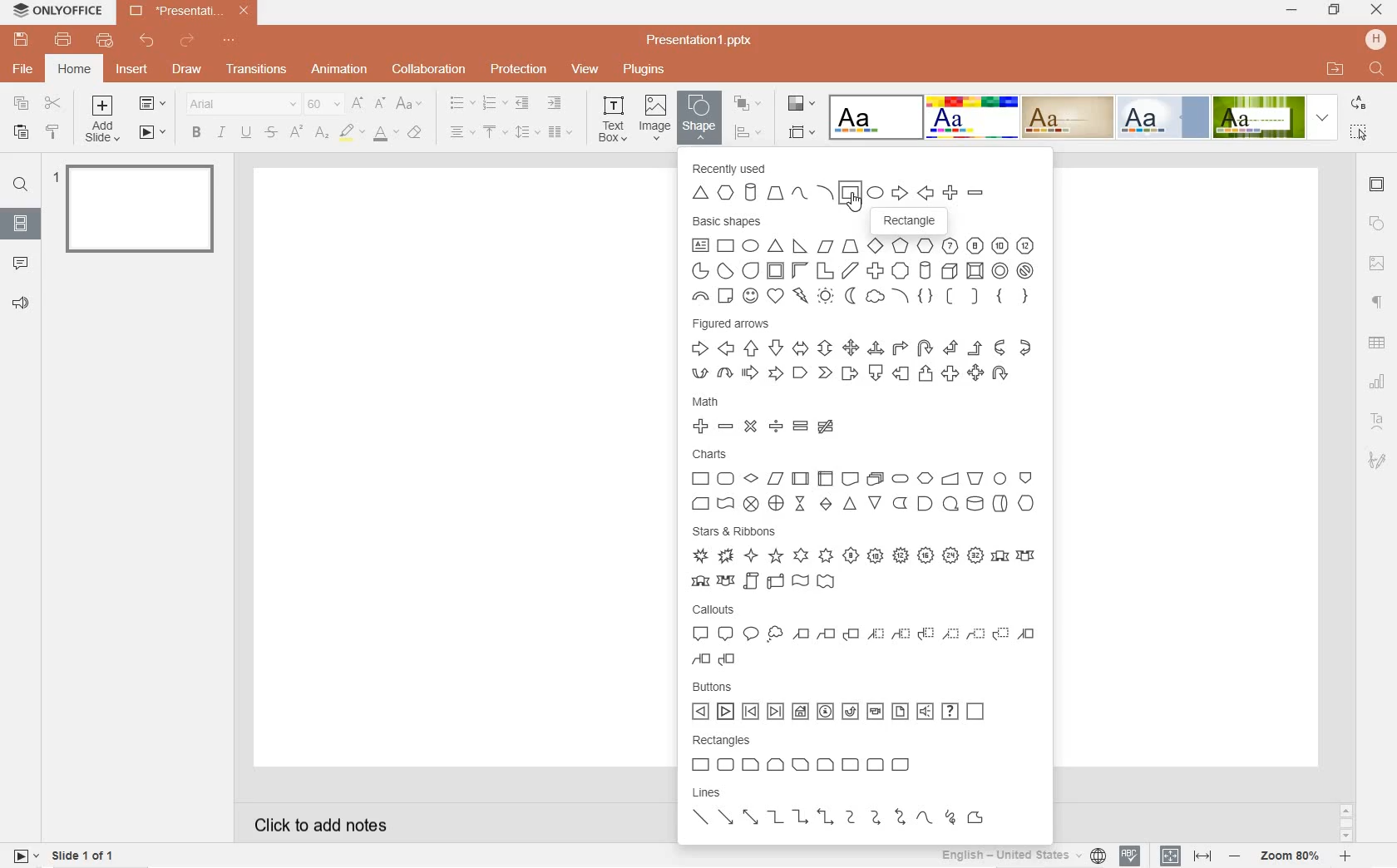 The image size is (1397, 868). What do you see at coordinates (851, 374) in the screenshot?
I see `Right arrow callout` at bounding box center [851, 374].